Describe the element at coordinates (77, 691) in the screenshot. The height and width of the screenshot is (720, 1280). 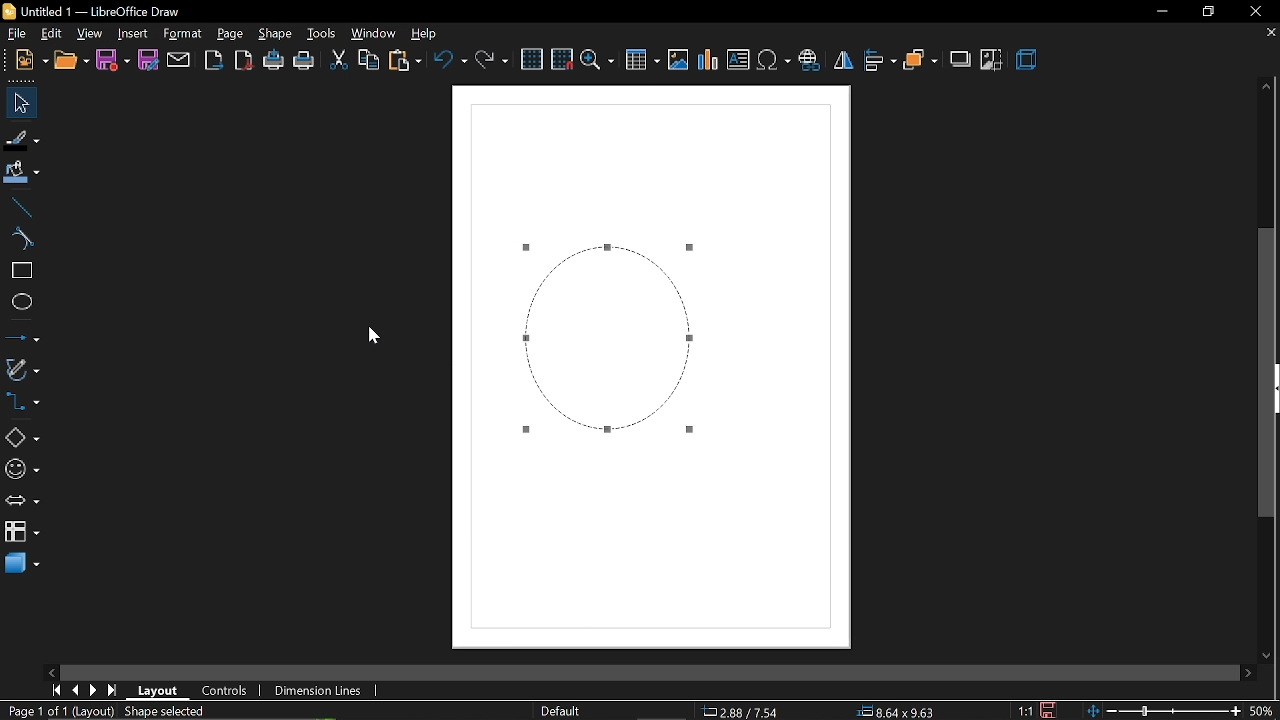
I see `previous page` at that location.